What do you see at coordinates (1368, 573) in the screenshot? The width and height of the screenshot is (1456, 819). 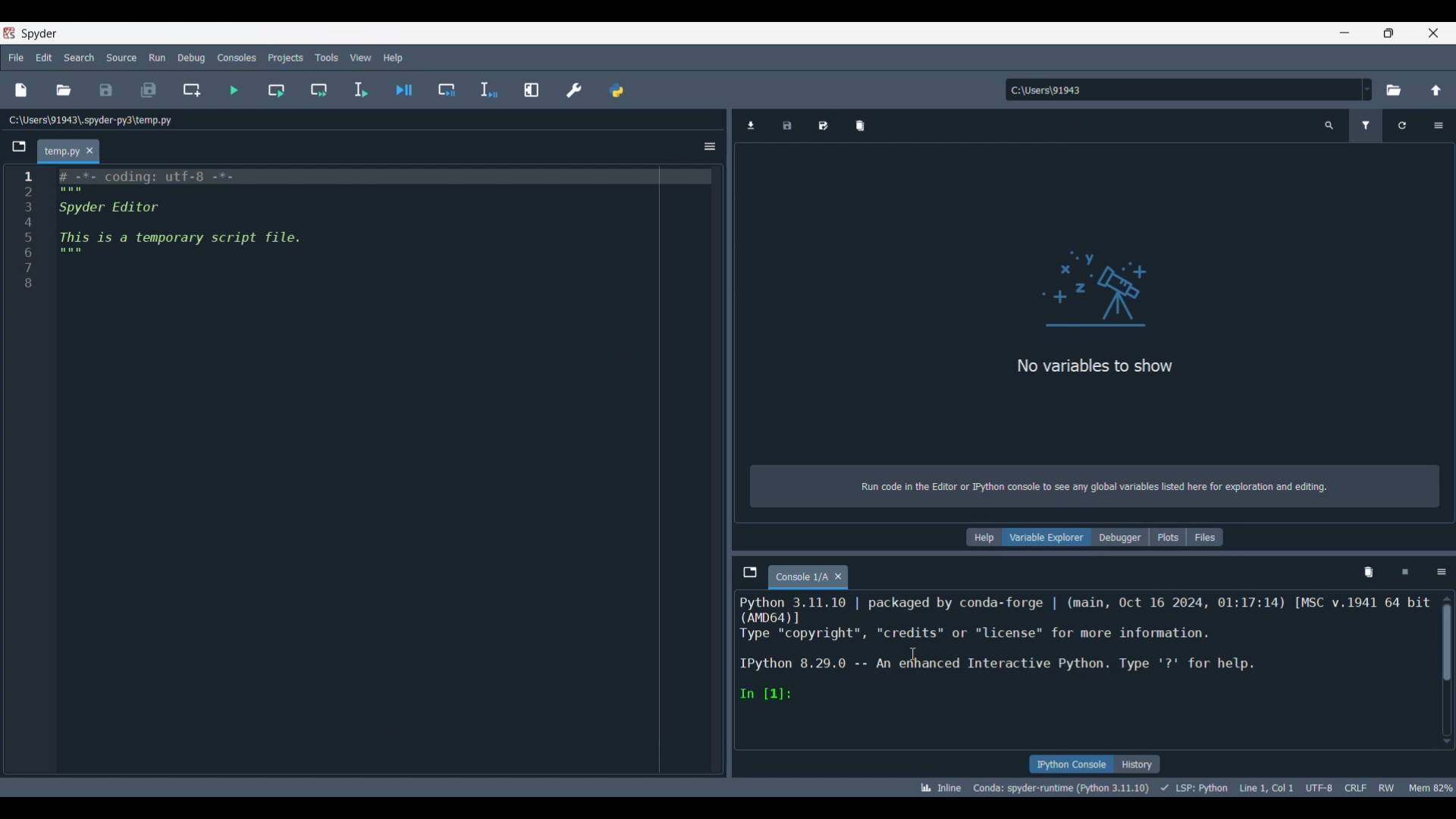 I see `Remove all variables from namespace` at bounding box center [1368, 573].